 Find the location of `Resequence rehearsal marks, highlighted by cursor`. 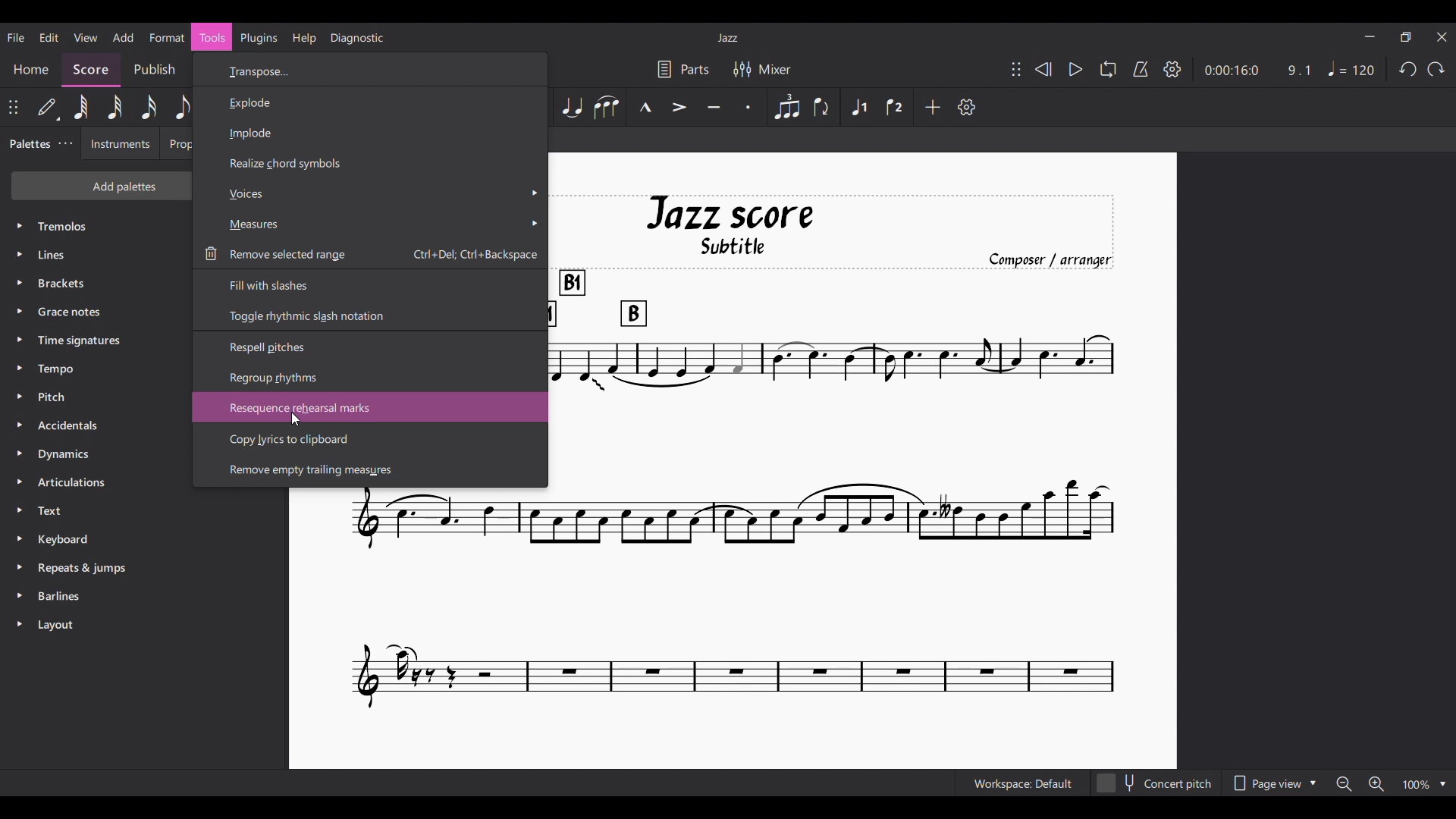

Resequence rehearsal marks, highlighted by cursor is located at coordinates (370, 407).